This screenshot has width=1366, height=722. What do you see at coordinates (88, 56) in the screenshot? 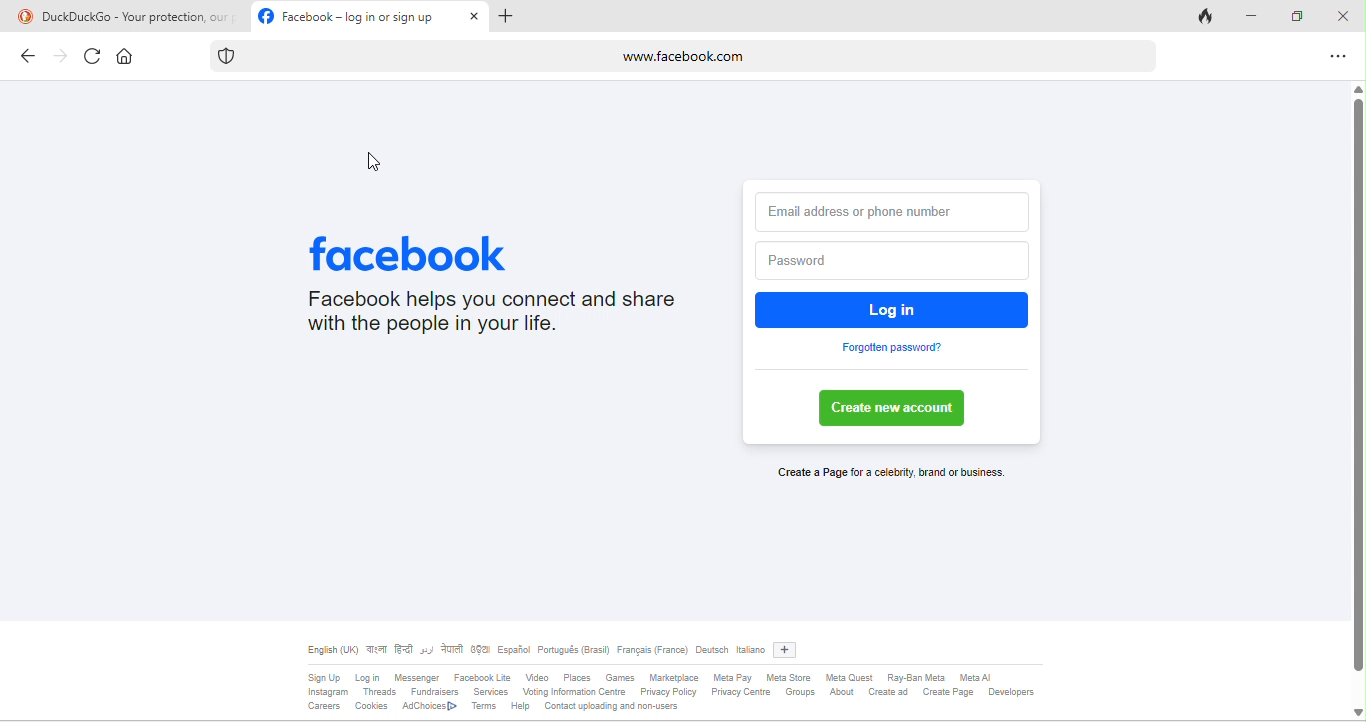
I see `refresh` at bounding box center [88, 56].